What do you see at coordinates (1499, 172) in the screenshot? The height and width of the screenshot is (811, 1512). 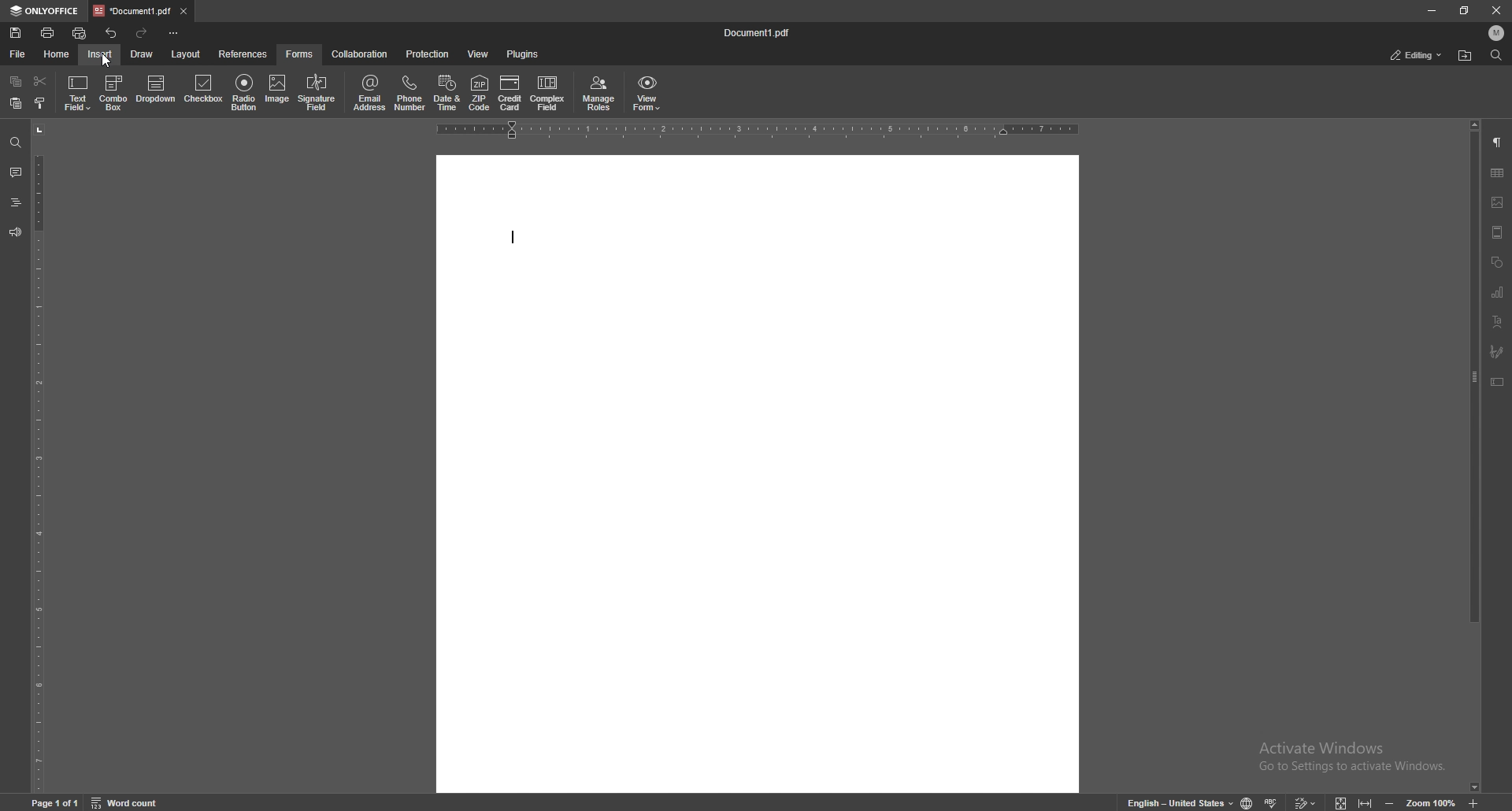 I see `table` at bounding box center [1499, 172].